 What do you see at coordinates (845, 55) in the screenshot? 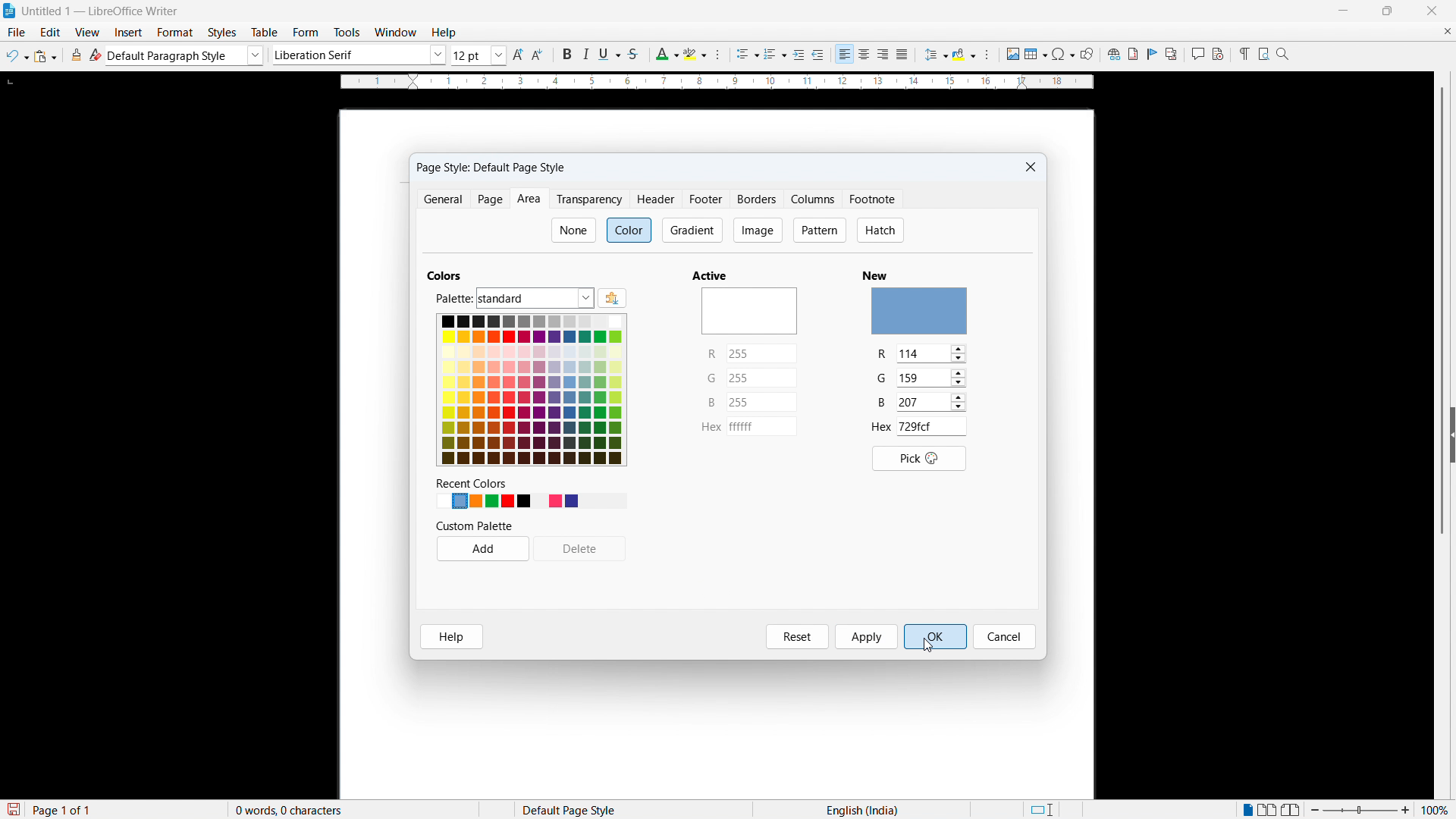
I see `Align left` at bounding box center [845, 55].